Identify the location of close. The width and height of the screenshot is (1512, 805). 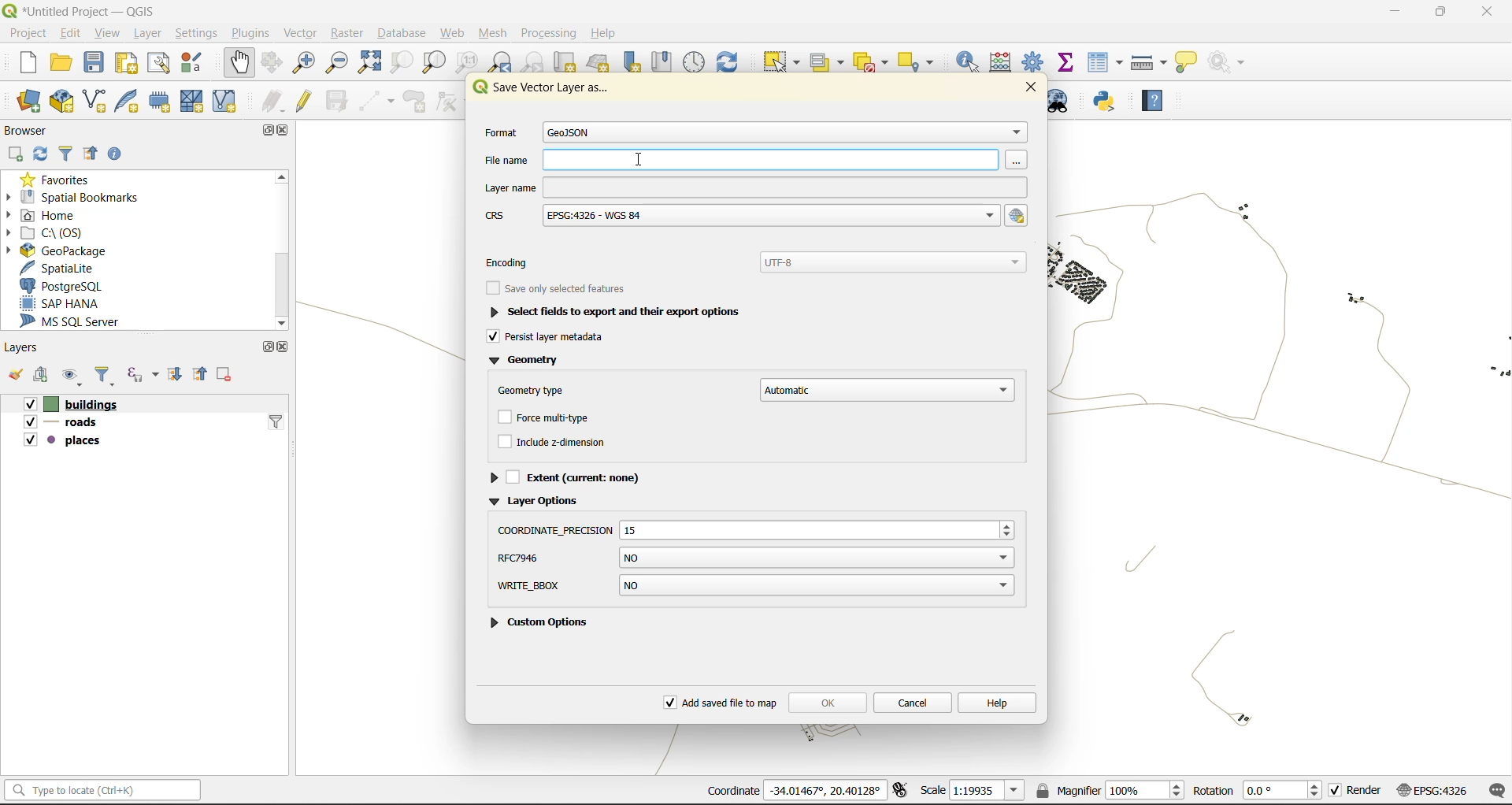
(284, 347).